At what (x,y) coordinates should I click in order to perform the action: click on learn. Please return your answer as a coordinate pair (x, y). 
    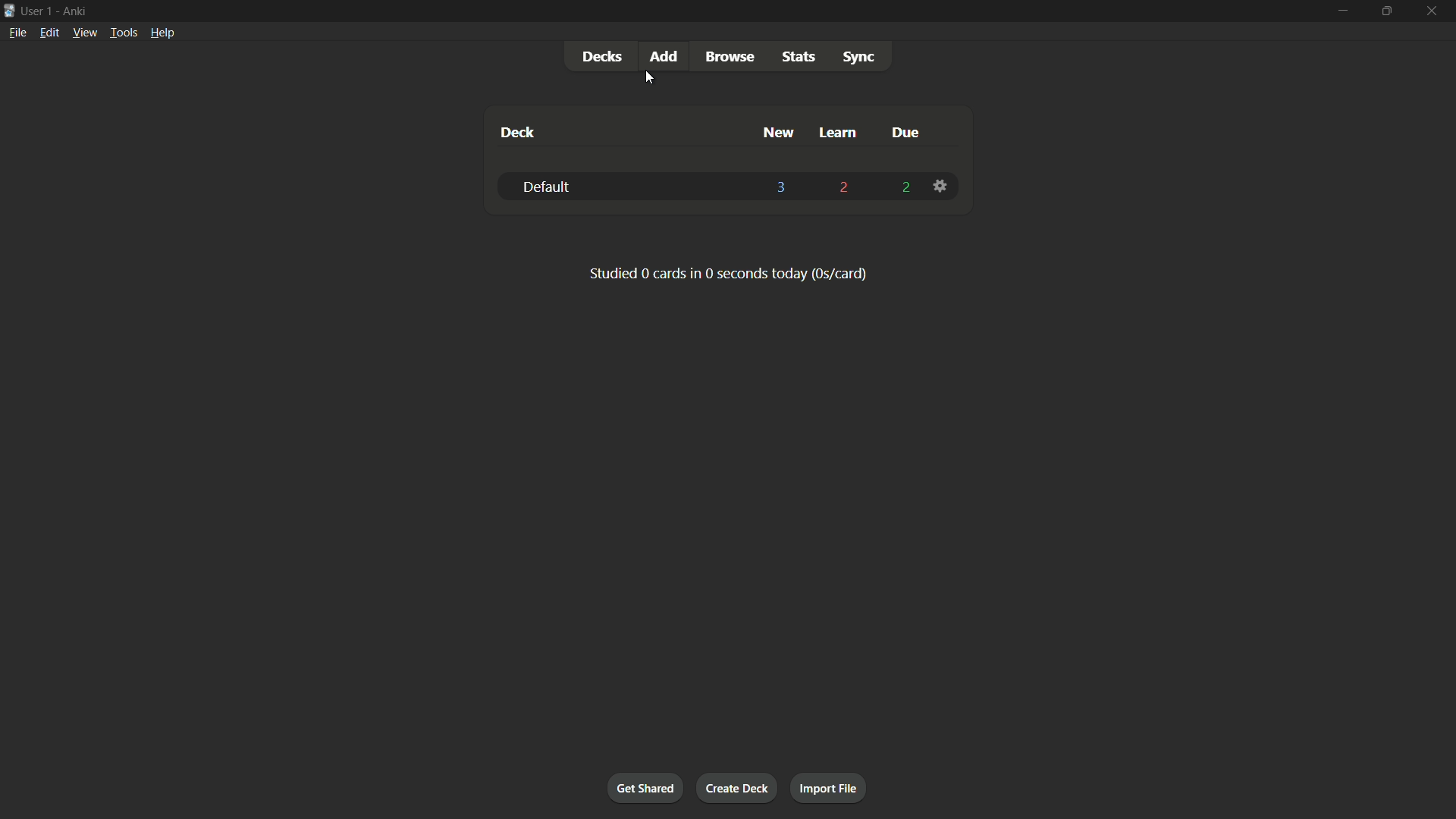
    Looking at the image, I should click on (838, 133).